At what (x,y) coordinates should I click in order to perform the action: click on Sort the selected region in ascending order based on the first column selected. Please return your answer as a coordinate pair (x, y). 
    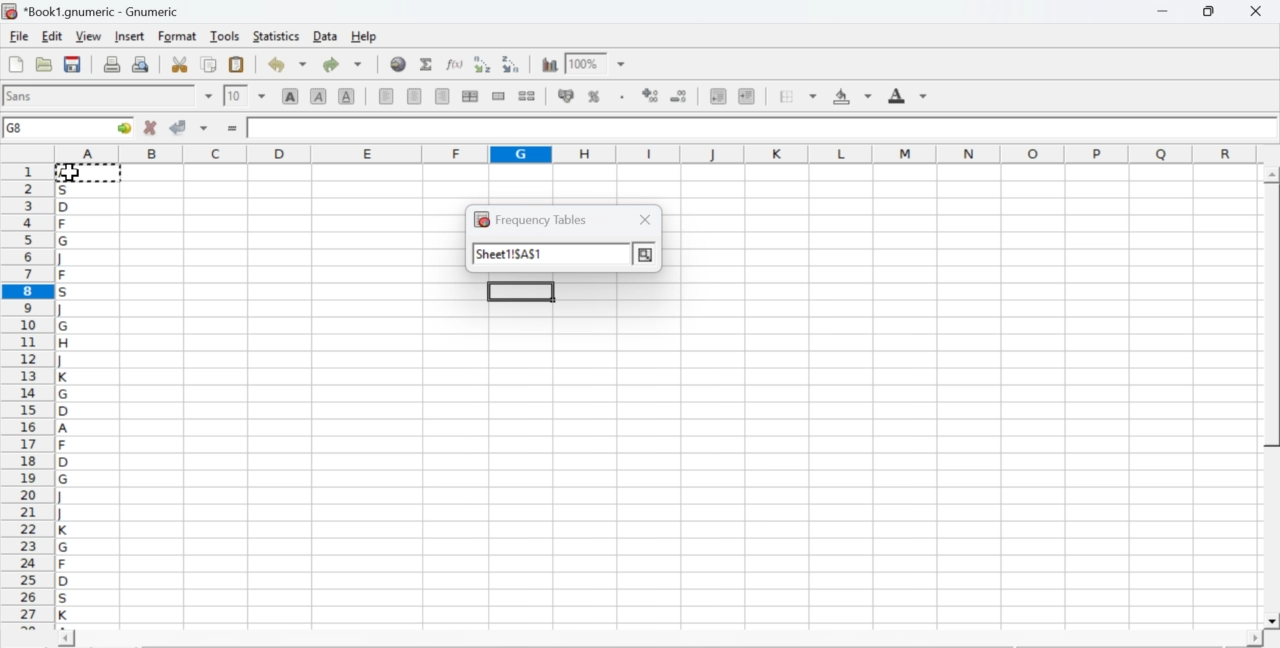
    Looking at the image, I should click on (485, 64).